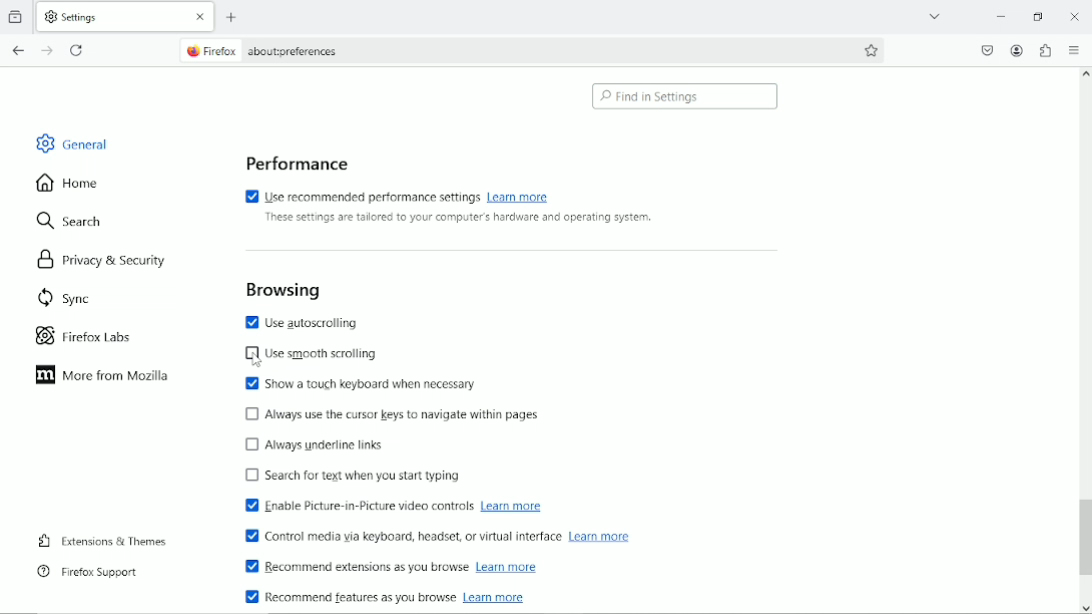 Image resolution: width=1092 pixels, height=614 pixels. What do you see at coordinates (309, 355) in the screenshot?
I see `Use smooth scrolling` at bounding box center [309, 355].